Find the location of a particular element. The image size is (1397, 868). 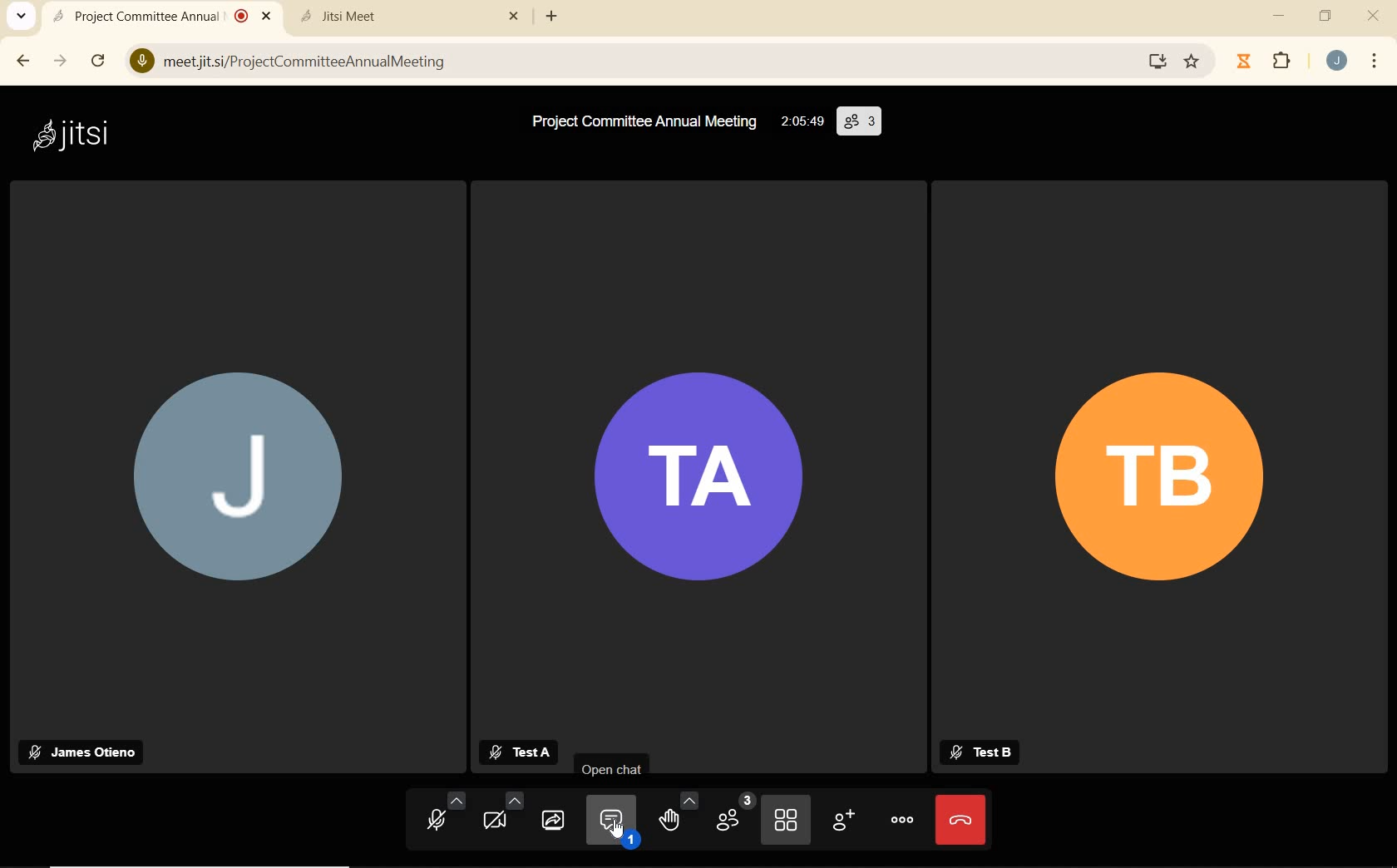

Microphone is located at coordinates (139, 62).